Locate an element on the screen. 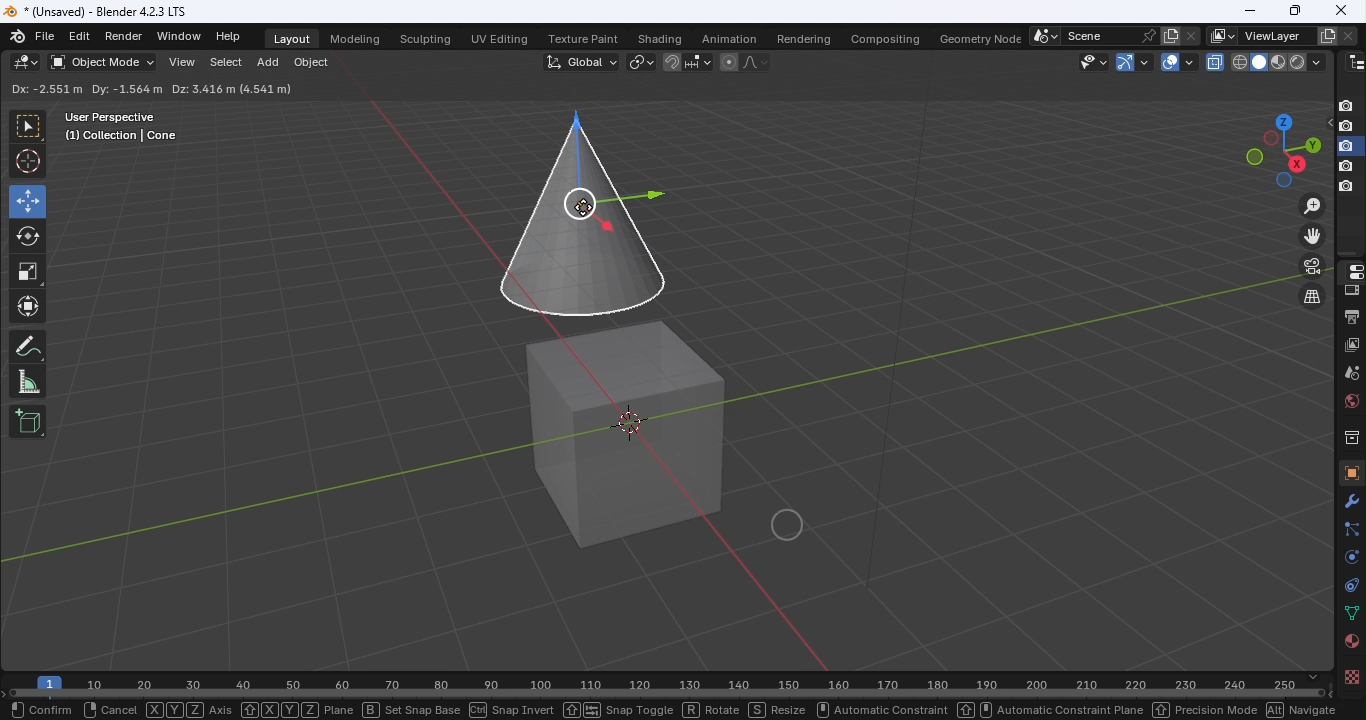  Editor type is located at coordinates (1349, 270).